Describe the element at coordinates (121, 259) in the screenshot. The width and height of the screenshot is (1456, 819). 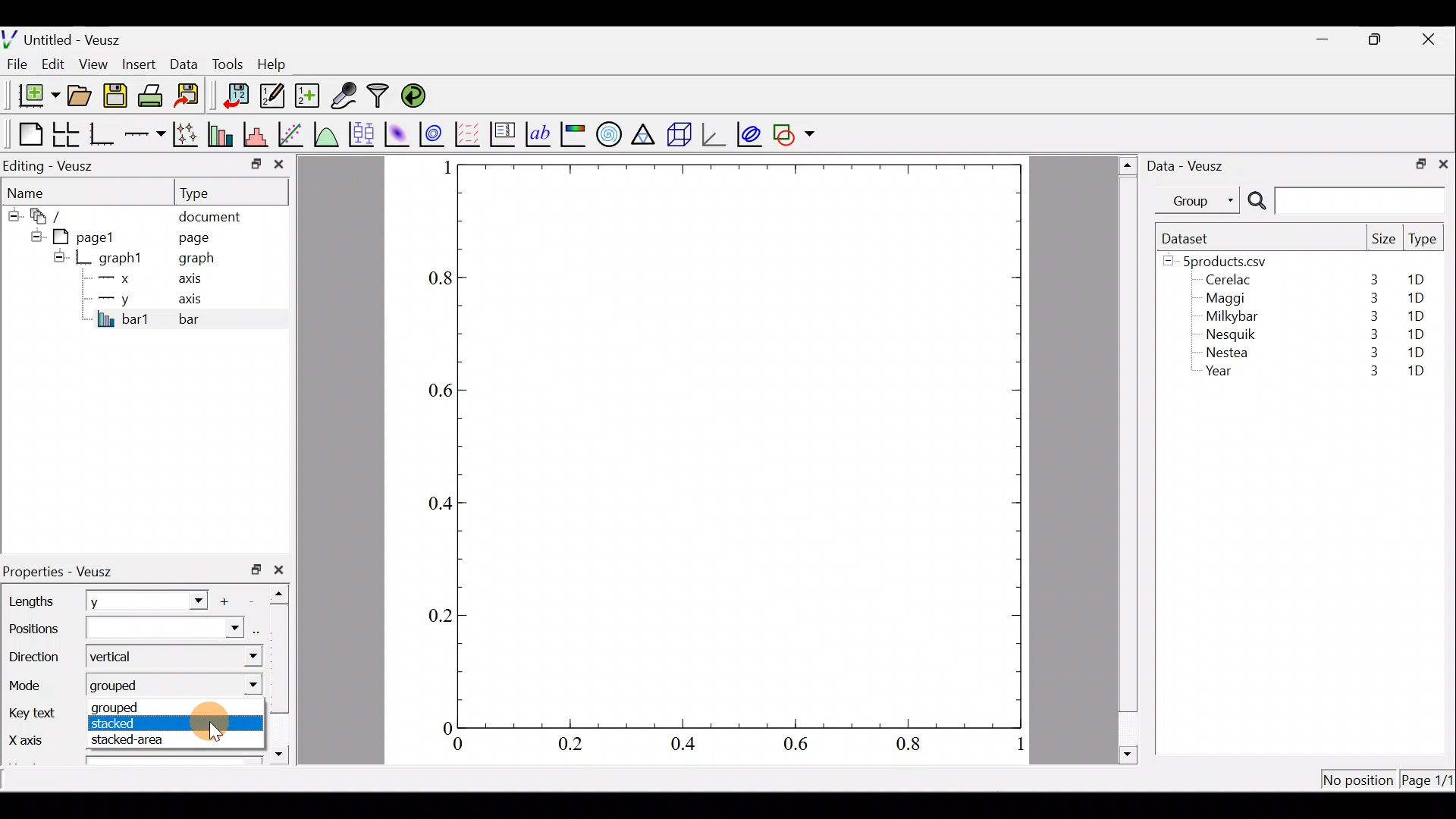
I see `graph1` at that location.